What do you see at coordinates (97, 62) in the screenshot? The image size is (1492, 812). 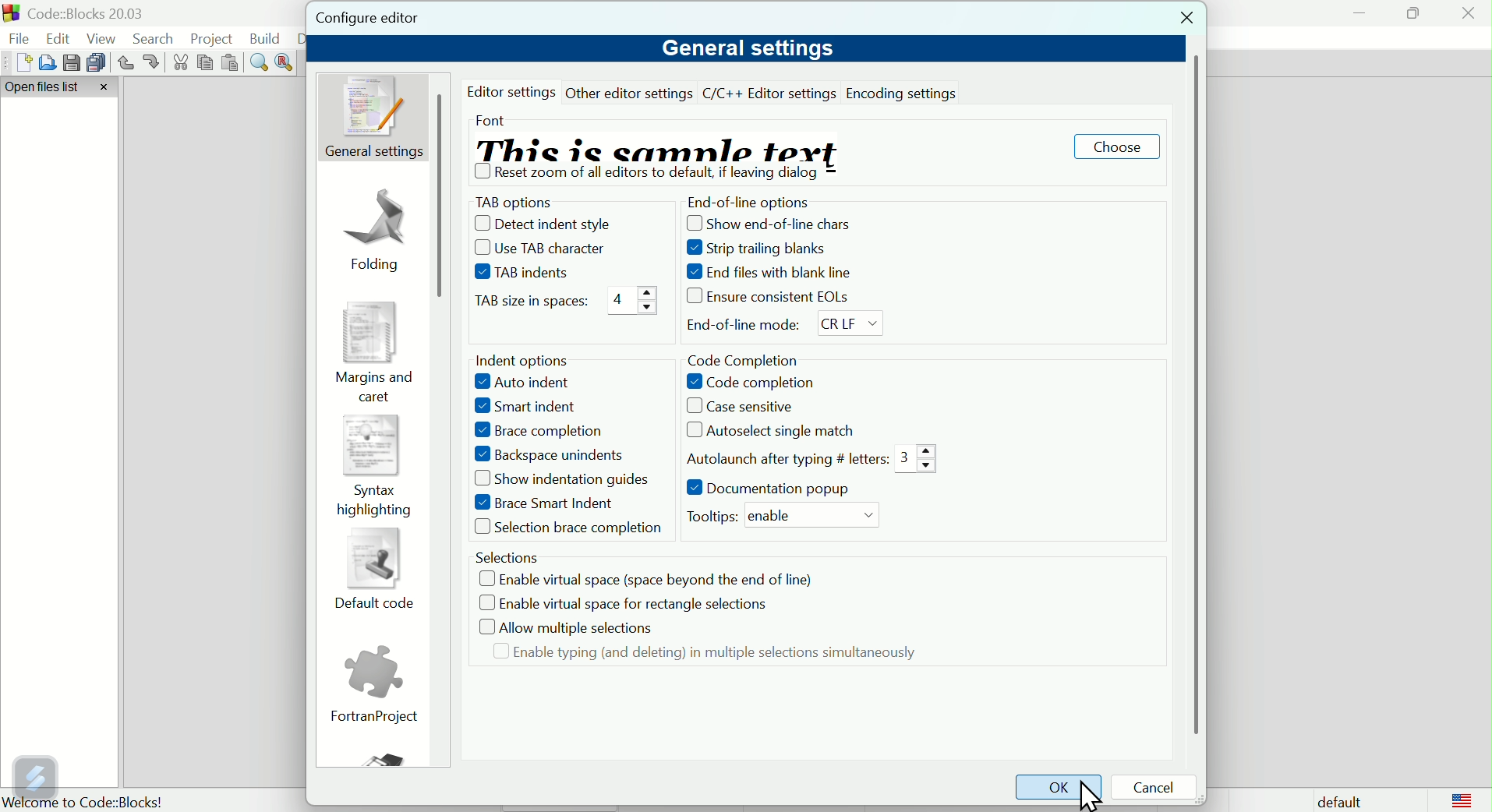 I see `Save multiple` at bounding box center [97, 62].